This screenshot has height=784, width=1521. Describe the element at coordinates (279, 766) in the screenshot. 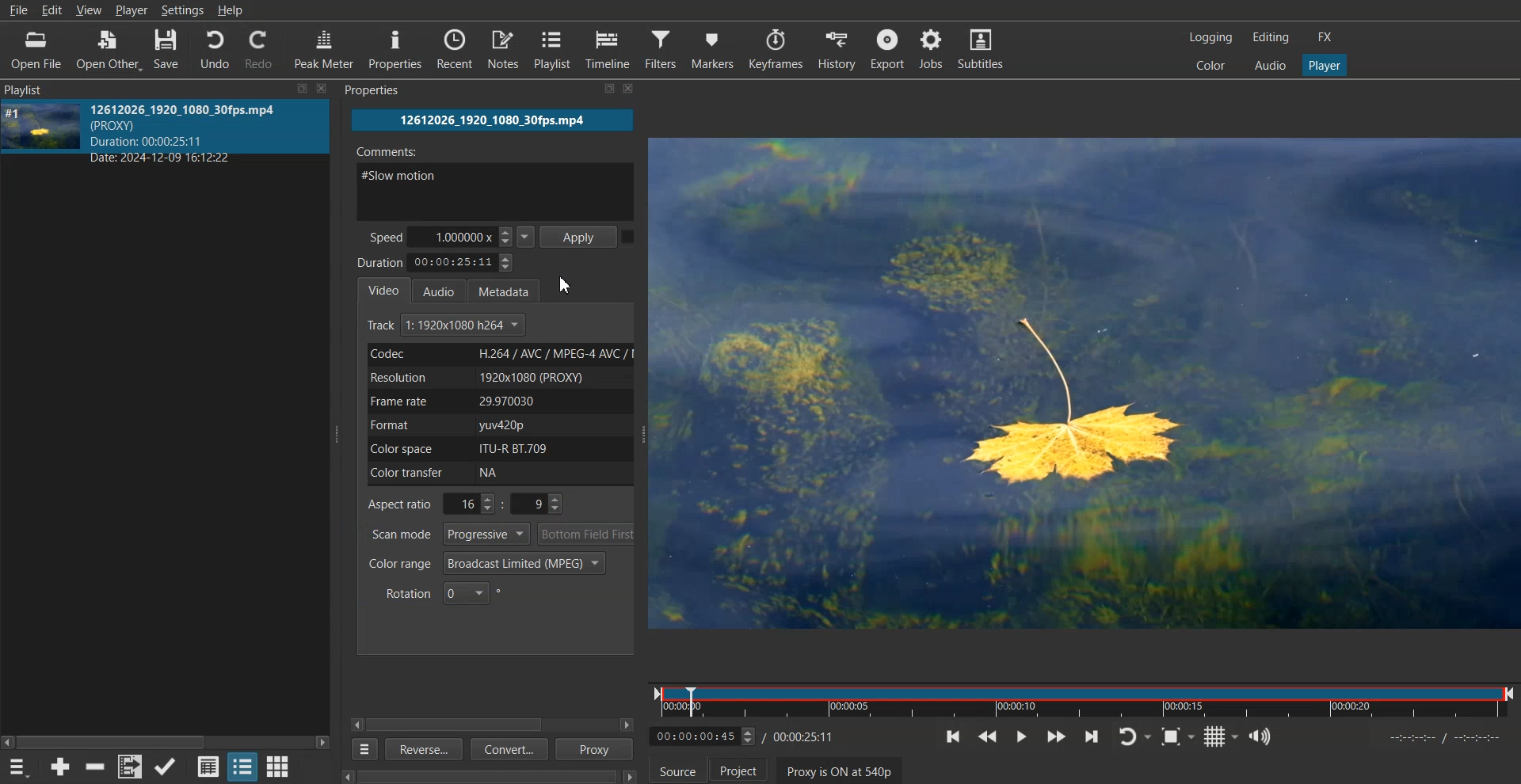

I see `View as Icon` at that location.